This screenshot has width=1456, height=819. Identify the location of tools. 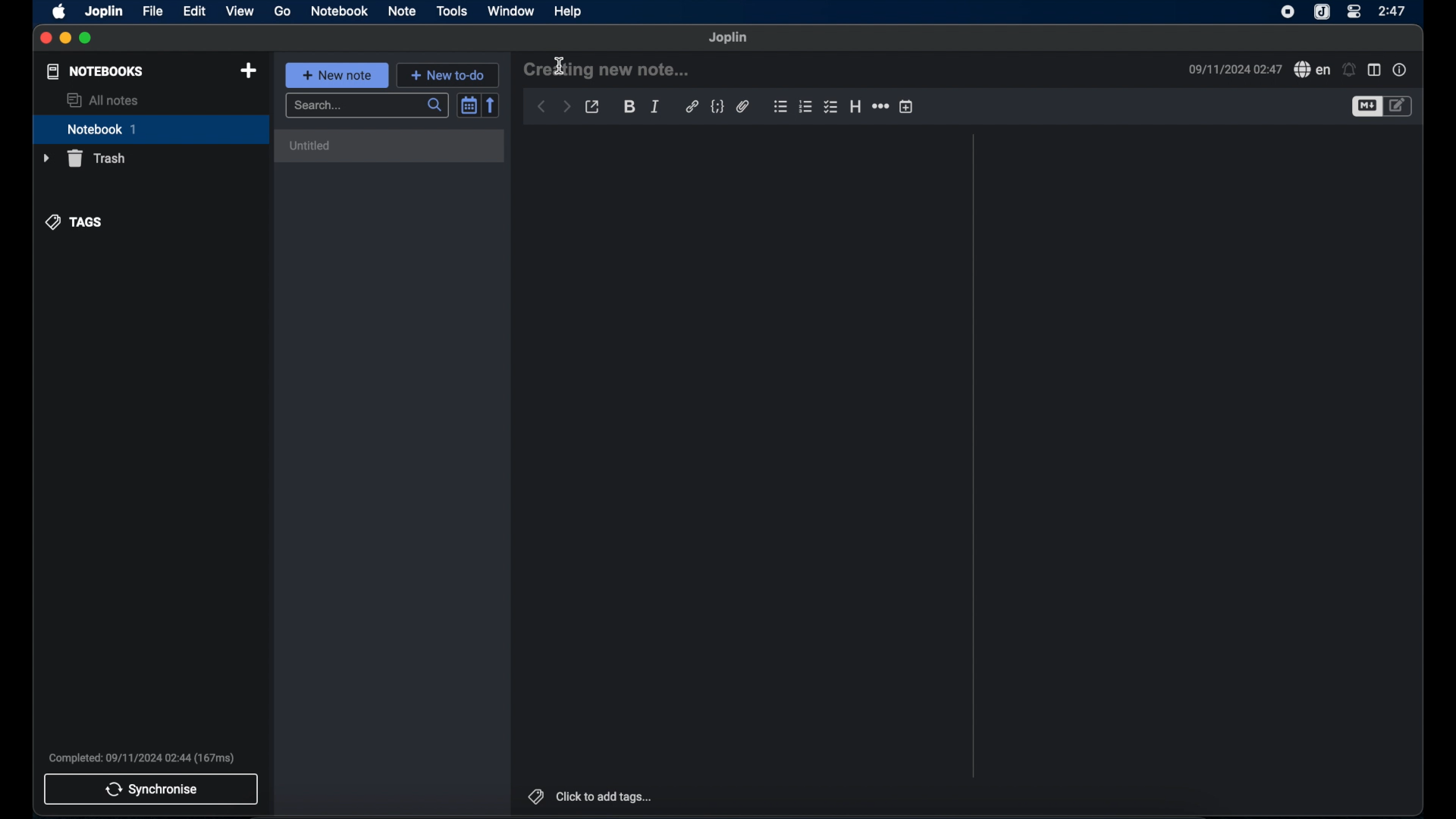
(451, 11).